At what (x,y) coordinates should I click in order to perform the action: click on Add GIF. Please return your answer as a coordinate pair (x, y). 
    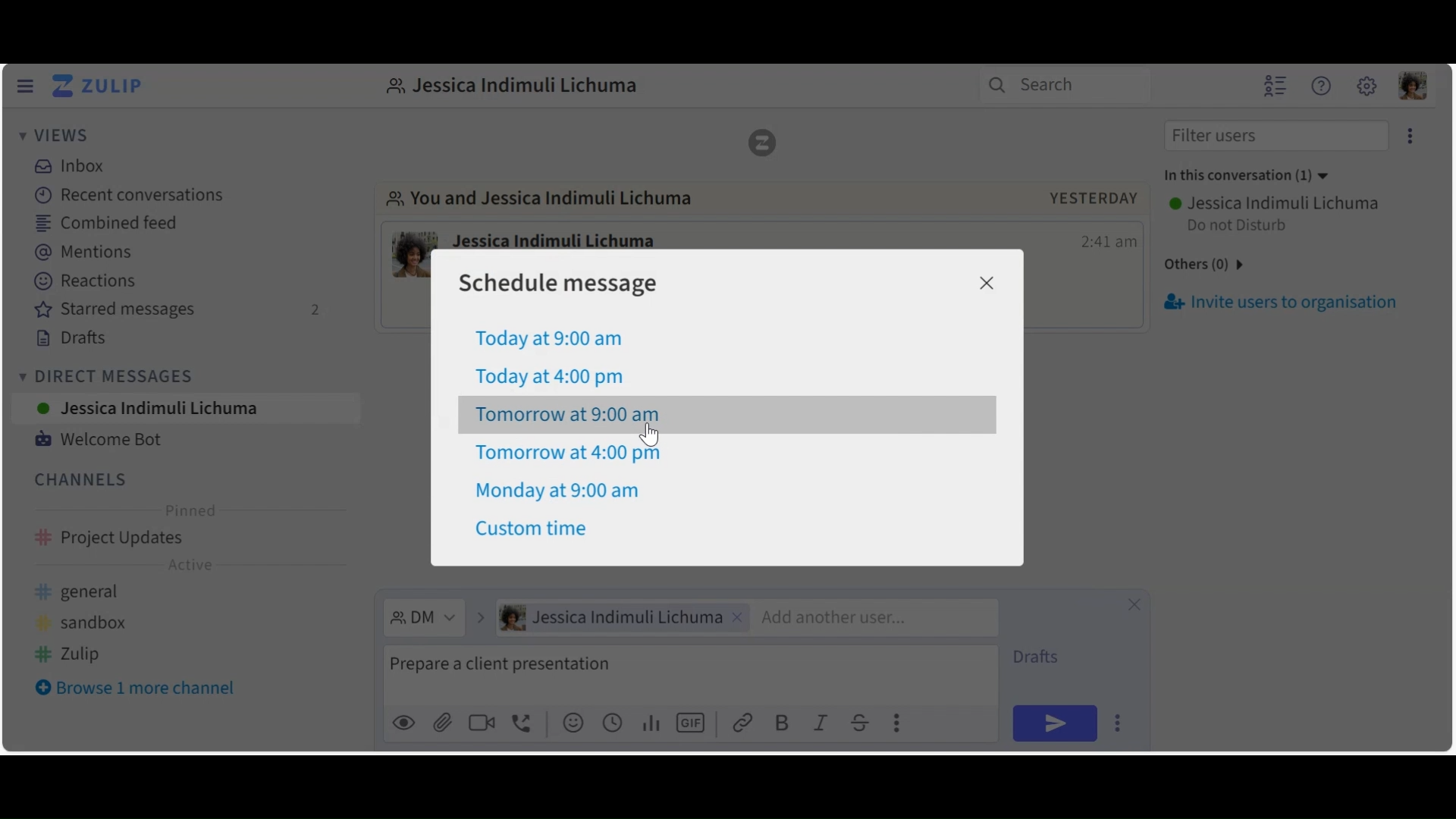
    Looking at the image, I should click on (693, 723).